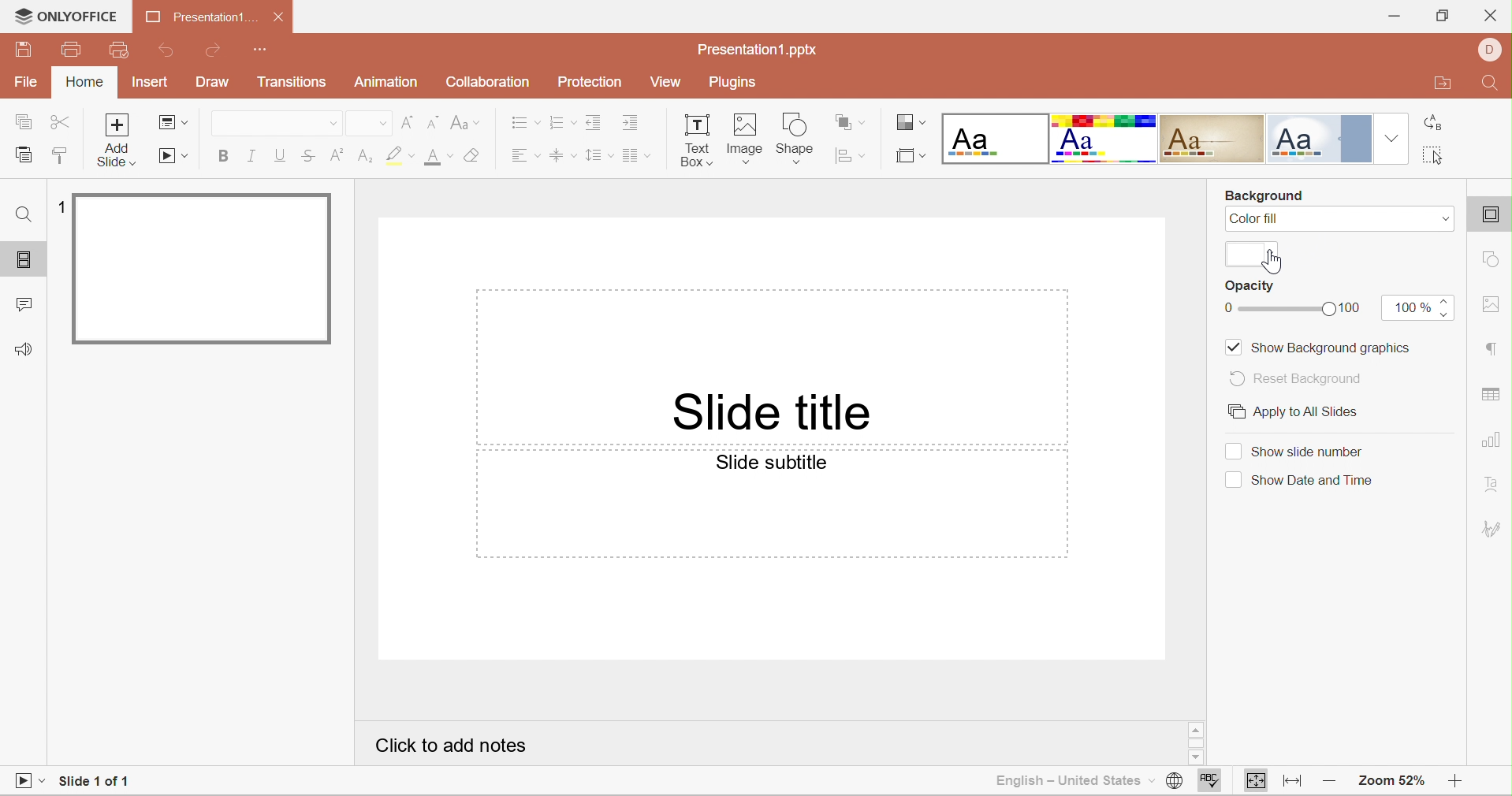  What do you see at coordinates (1492, 440) in the screenshot?
I see `chart settings` at bounding box center [1492, 440].